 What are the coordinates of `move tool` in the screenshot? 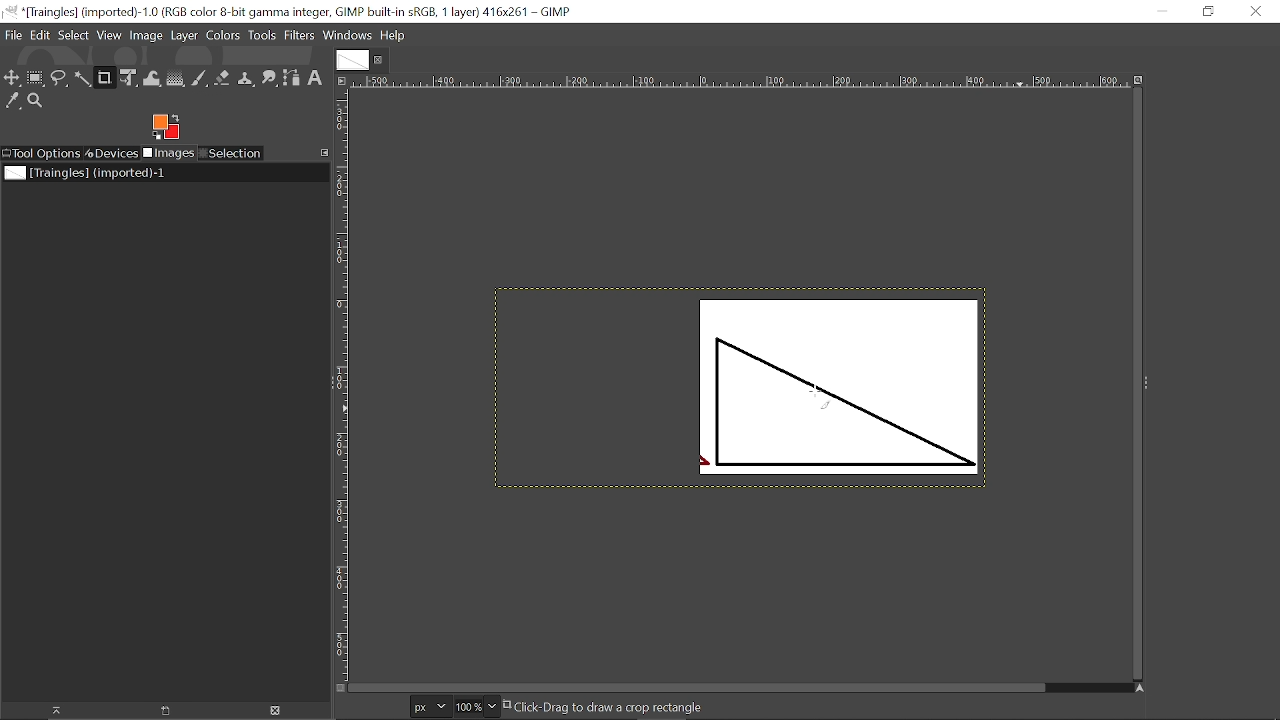 It's located at (13, 78).